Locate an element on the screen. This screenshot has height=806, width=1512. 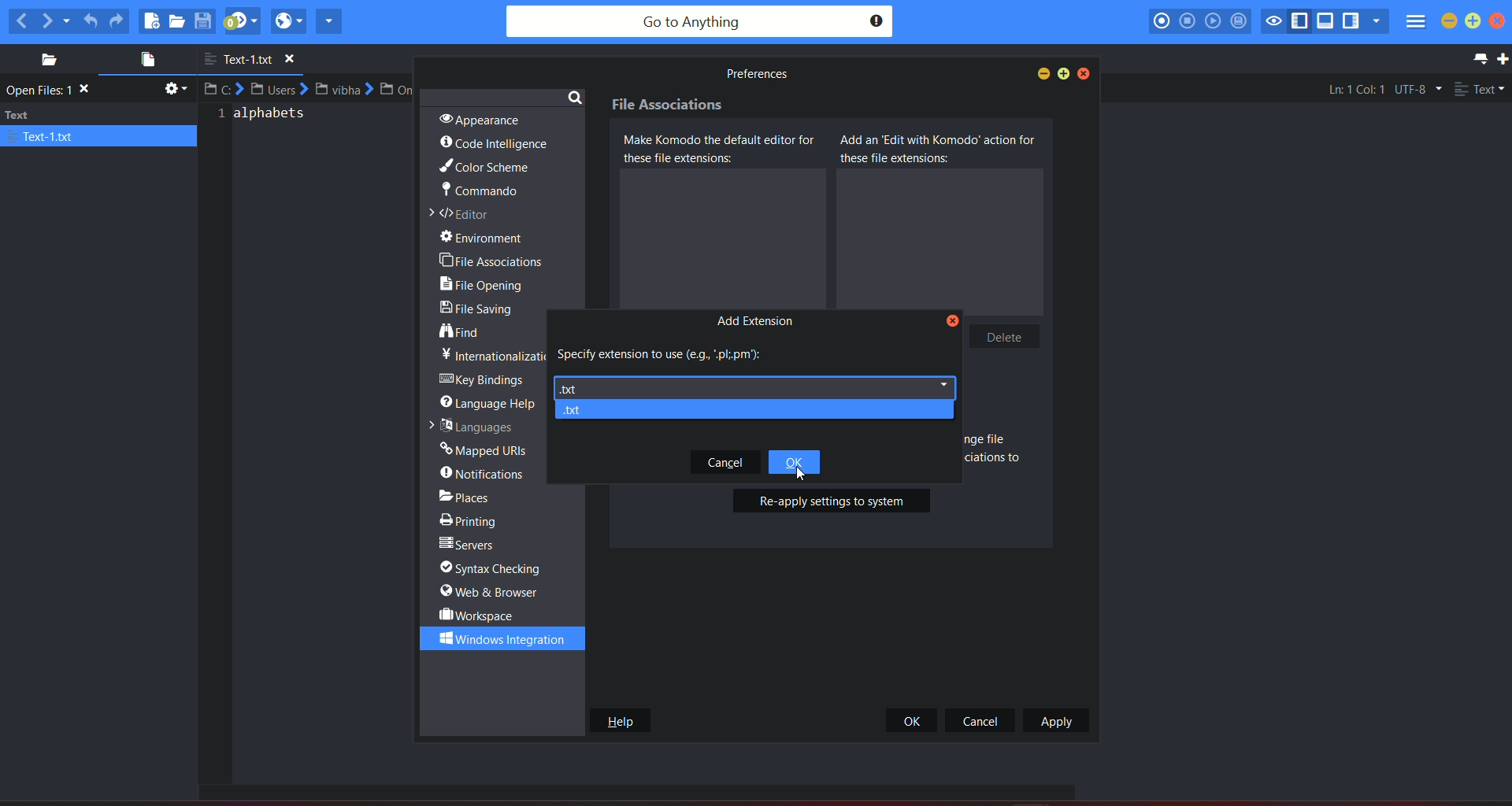
appearance is located at coordinates (476, 118).